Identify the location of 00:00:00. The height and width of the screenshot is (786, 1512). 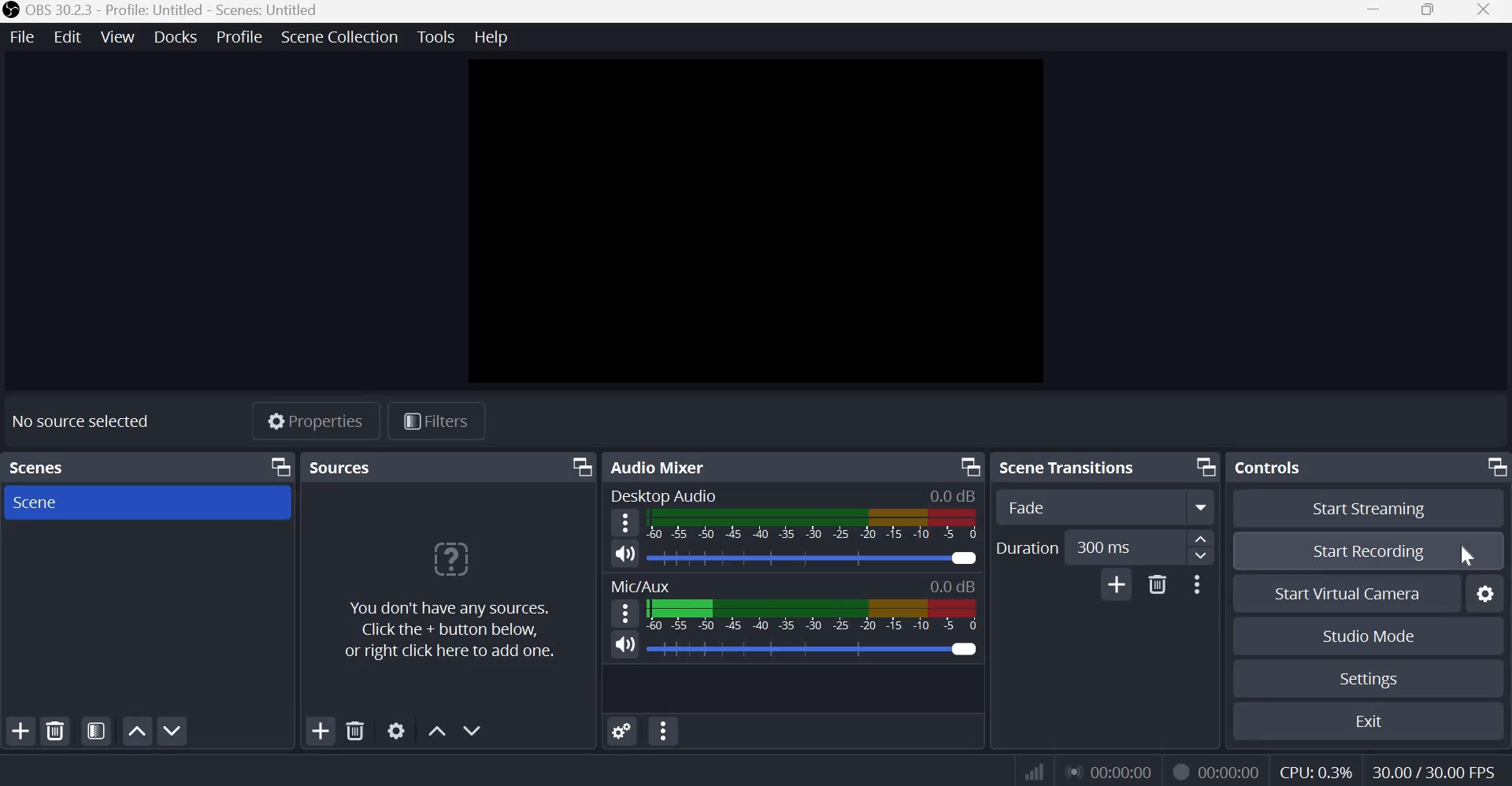
(1110, 769).